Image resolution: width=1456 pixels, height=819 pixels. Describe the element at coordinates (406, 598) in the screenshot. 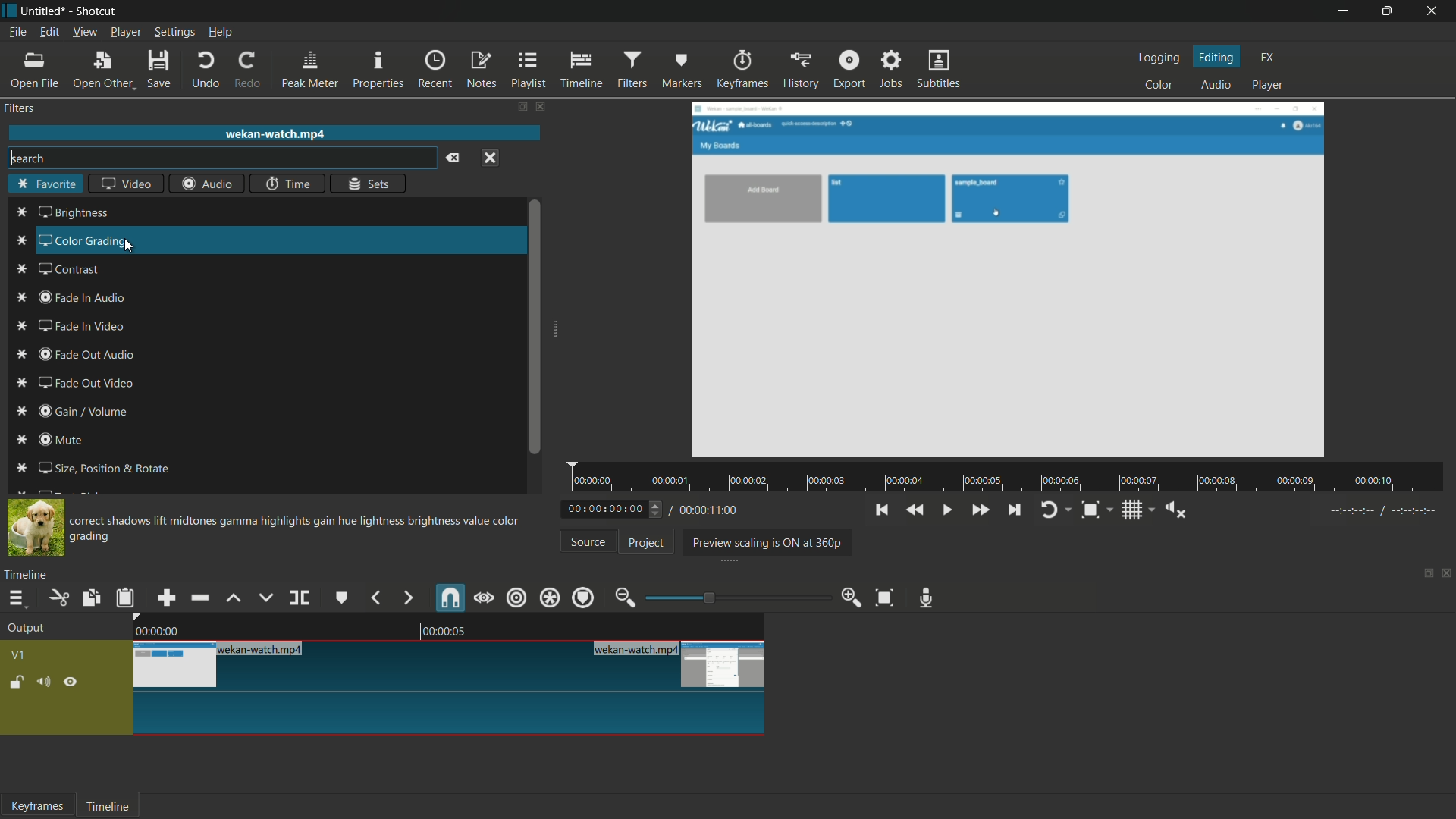

I see `next marker` at that location.